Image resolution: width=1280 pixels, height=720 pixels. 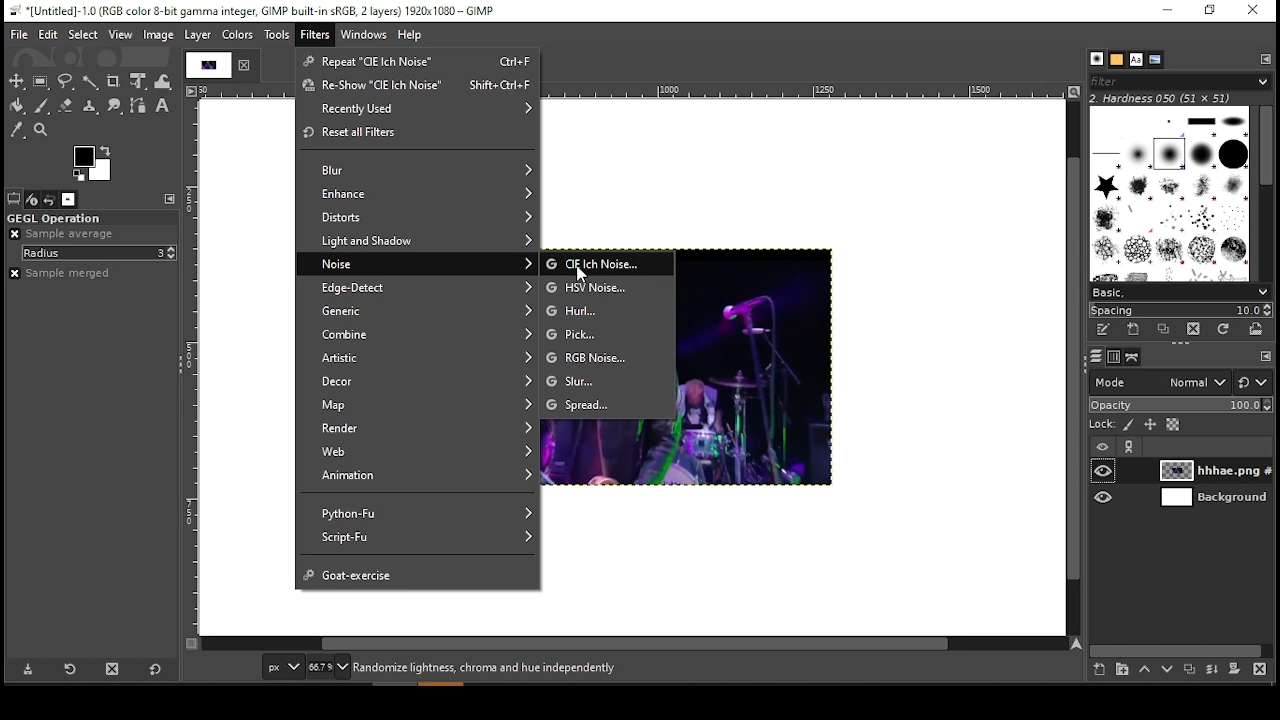 I want to click on vertical scale, so click(x=191, y=370).